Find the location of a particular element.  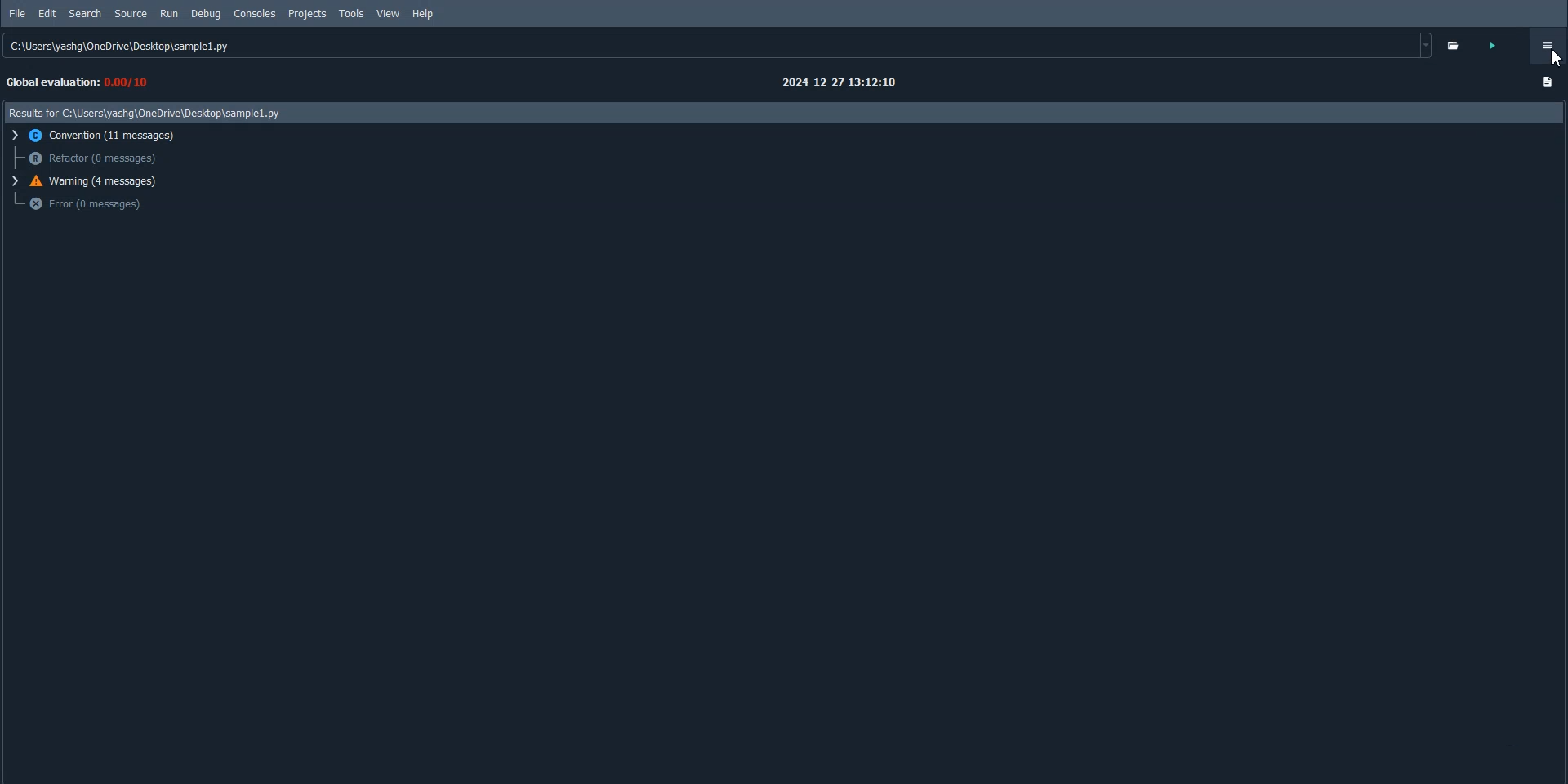

Complete Output is located at coordinates (1548, 84).